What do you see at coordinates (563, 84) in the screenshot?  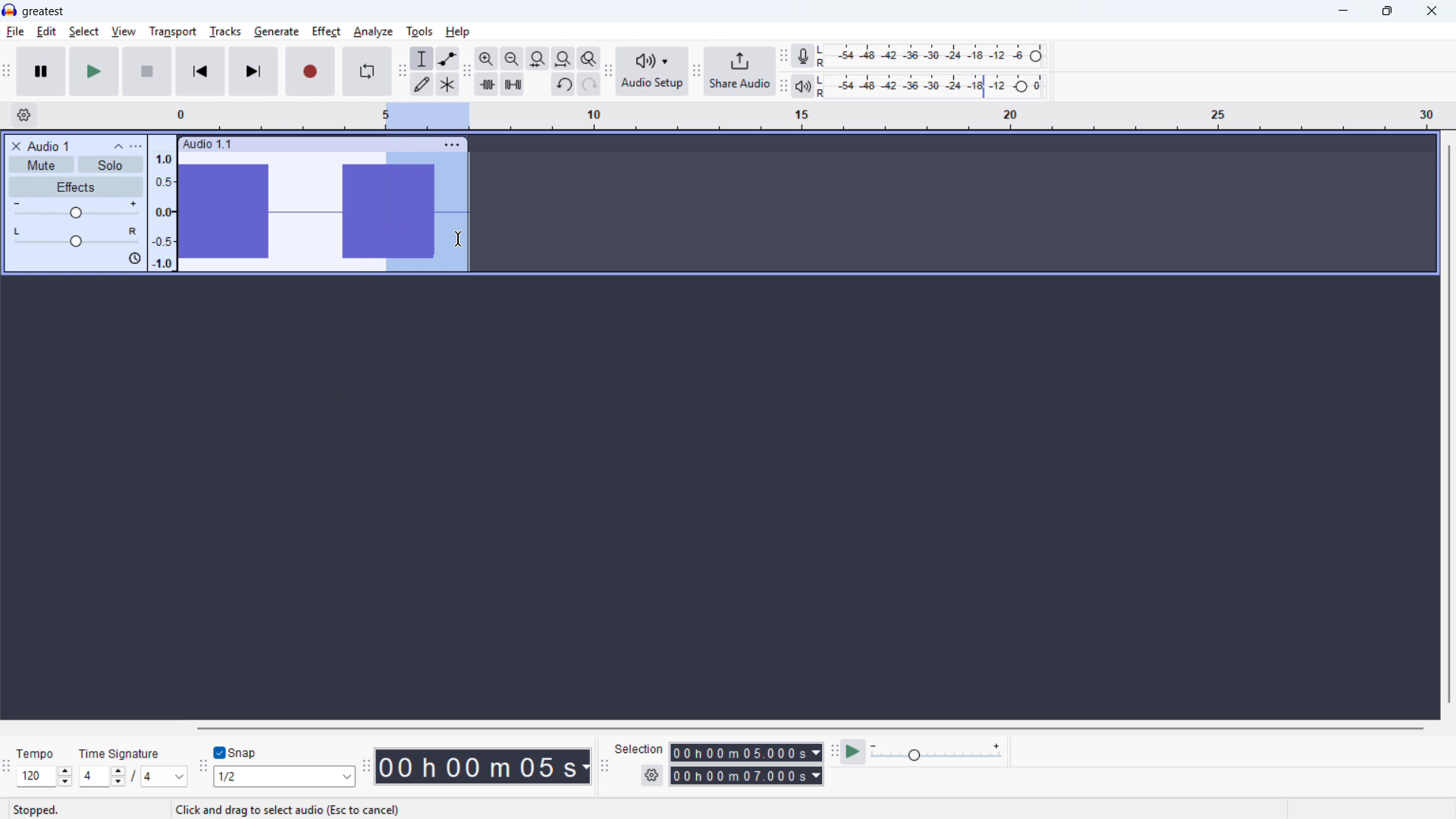 I see `Undo ` at bounding box center [563, 84].